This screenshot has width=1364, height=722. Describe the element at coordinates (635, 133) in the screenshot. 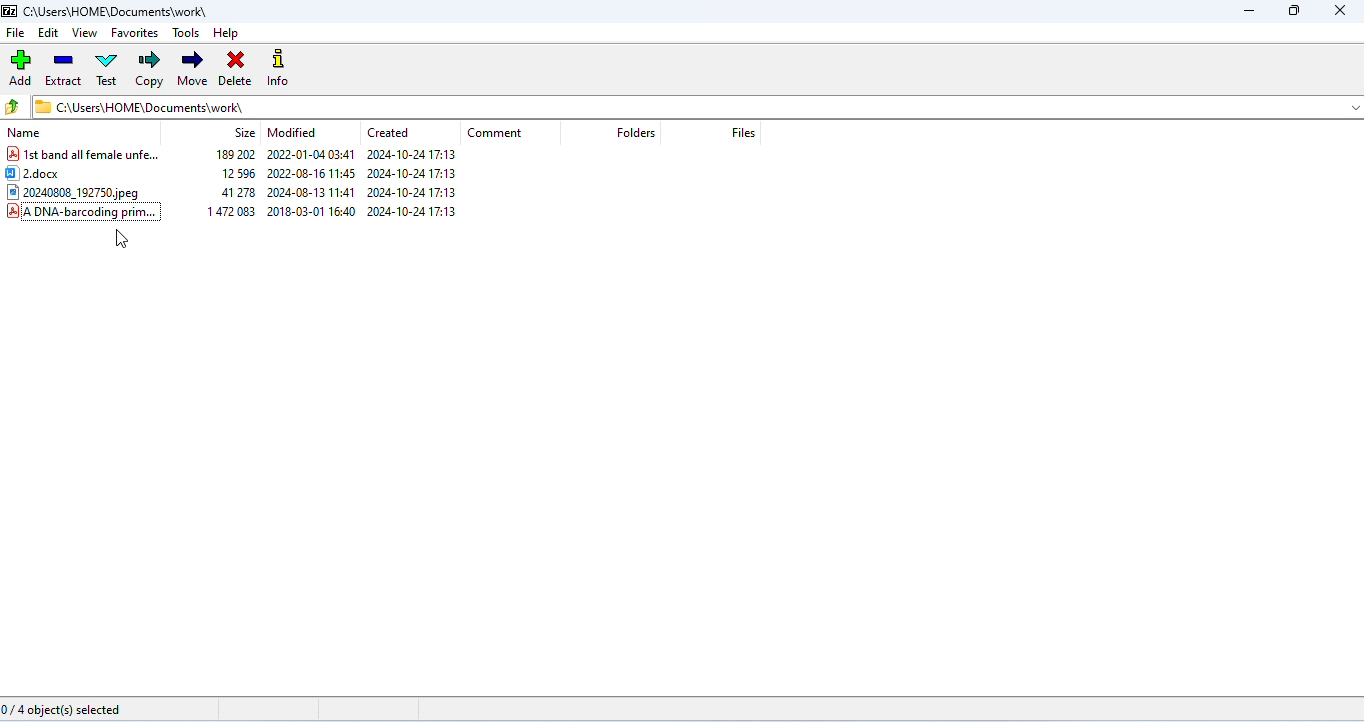

I see `folders` at that location.